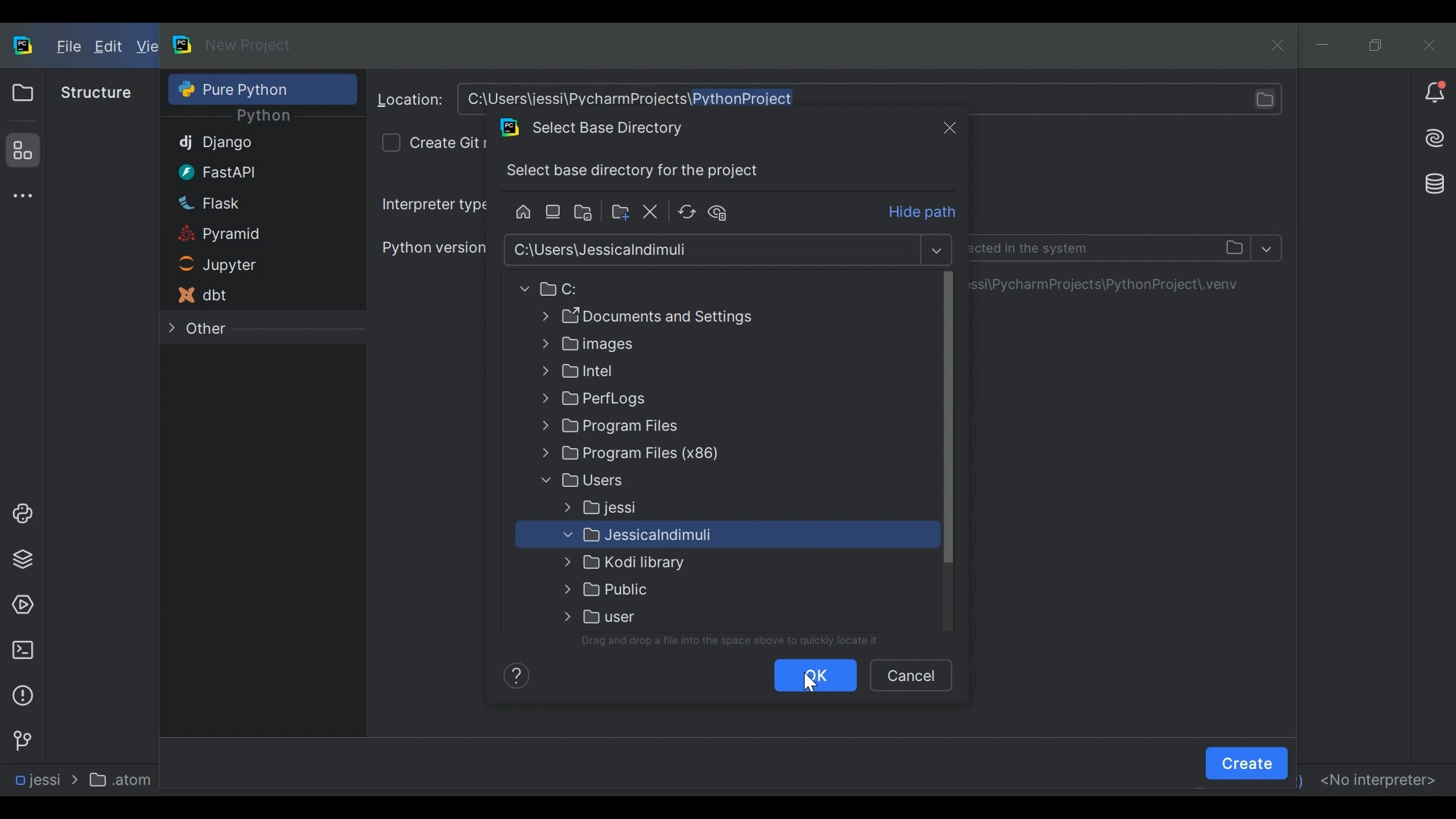 The width and height of the screenshot is (1456, 819). What do you see at coordinates (22, 606) in the screenshot?
I see `Services` at bounding box center [22, 606].